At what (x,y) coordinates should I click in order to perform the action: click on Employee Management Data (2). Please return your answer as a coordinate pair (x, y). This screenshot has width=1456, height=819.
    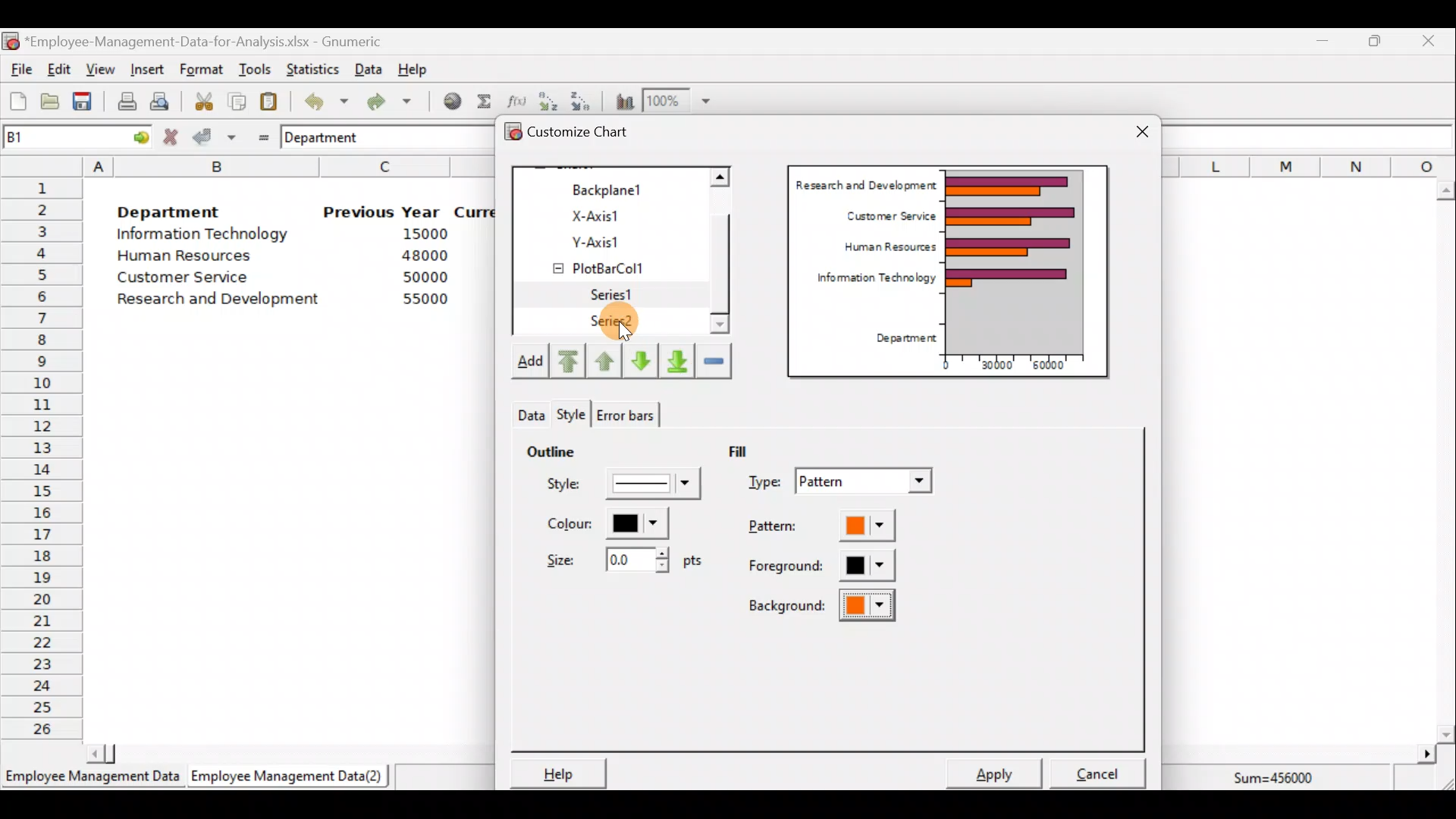
    Looking at the image, I should click on (290, 777).